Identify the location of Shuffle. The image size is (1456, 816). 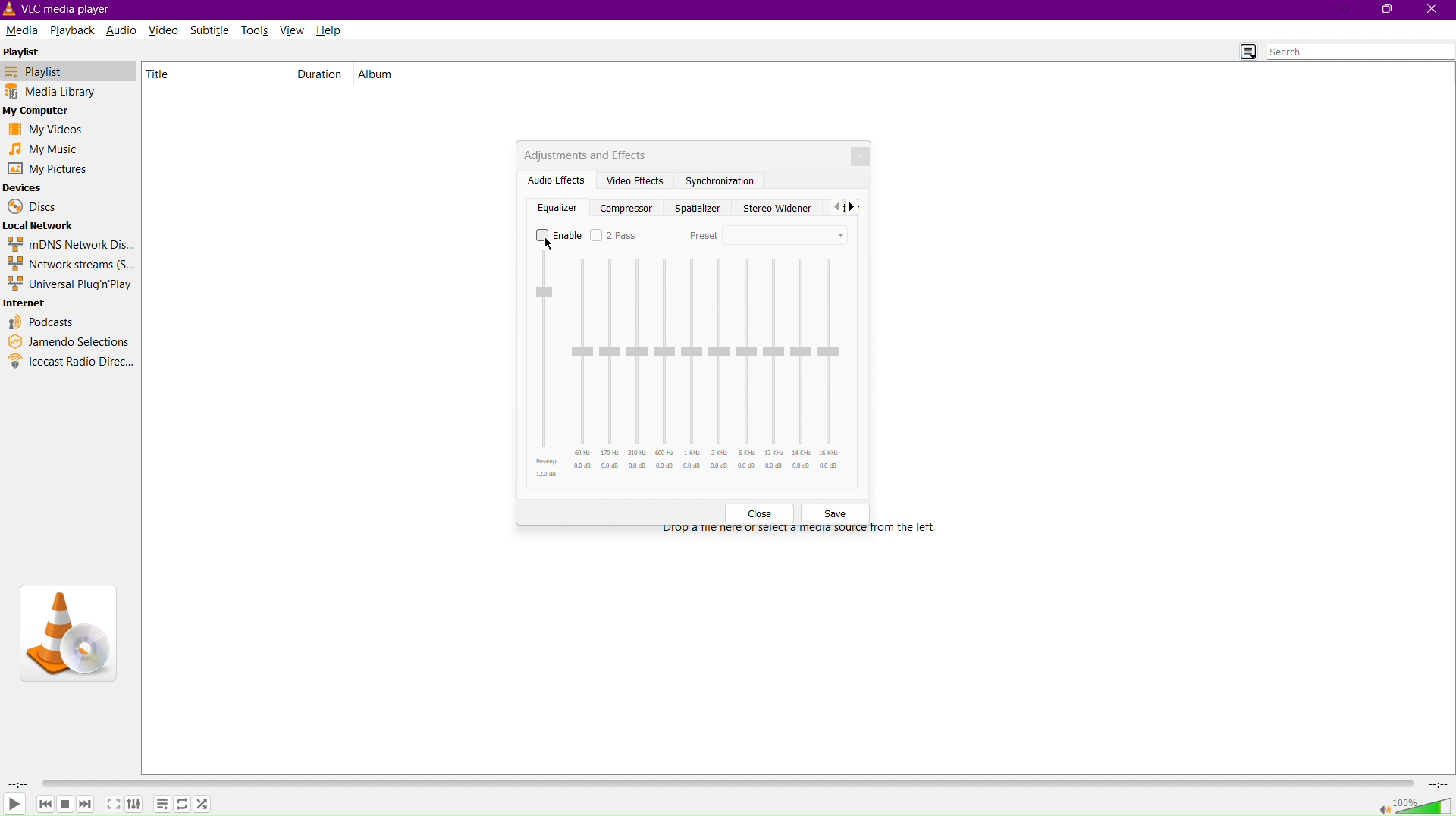
(204, 805).